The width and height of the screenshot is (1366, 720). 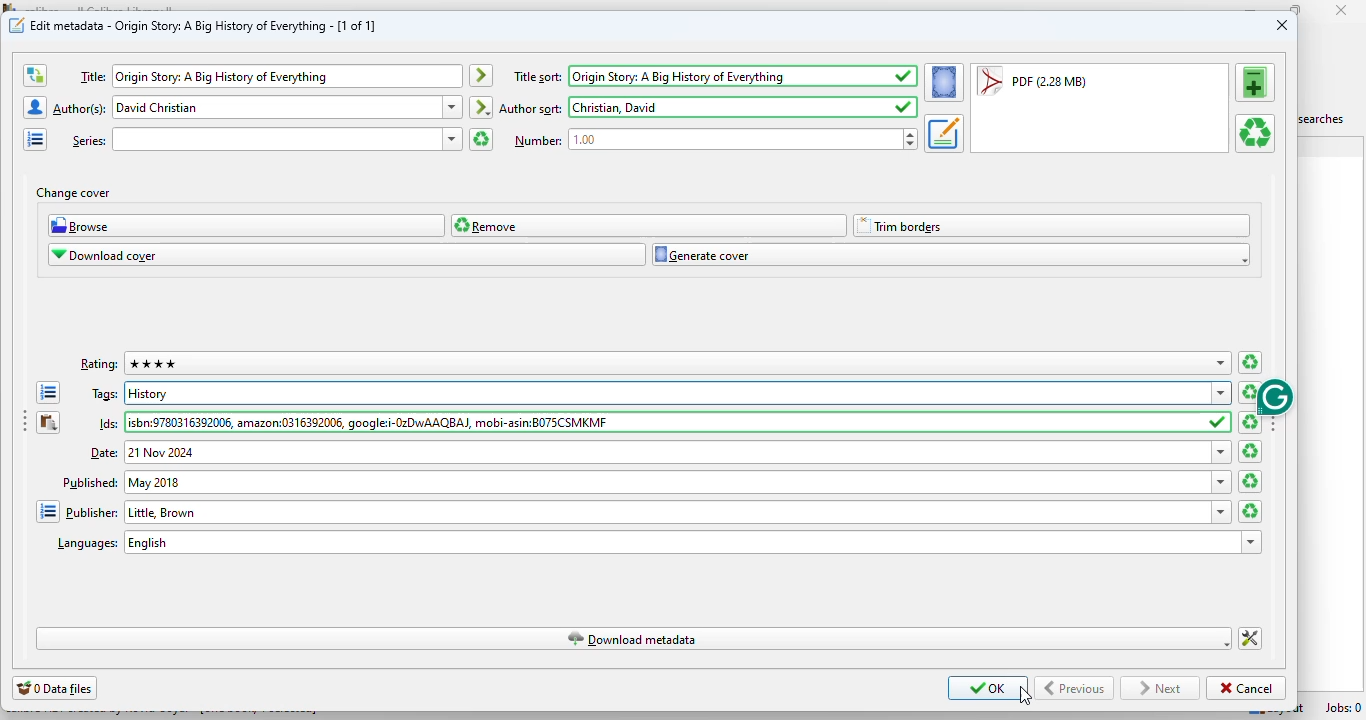 I want to click on dropdown, so click(x=1222, y=481).